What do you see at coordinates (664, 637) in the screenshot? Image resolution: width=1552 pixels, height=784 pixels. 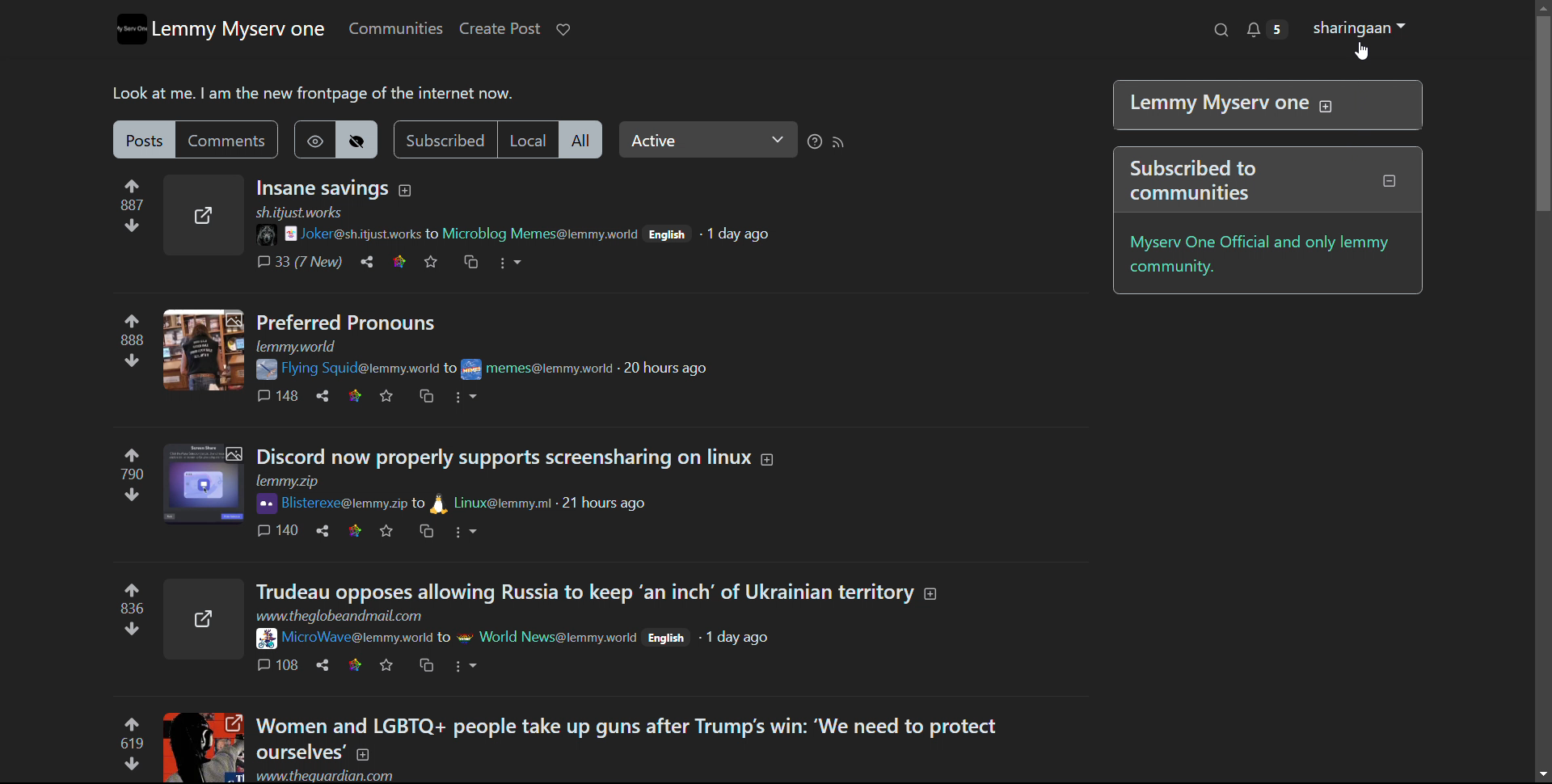 I see `English` at bounding box center [664, 637].